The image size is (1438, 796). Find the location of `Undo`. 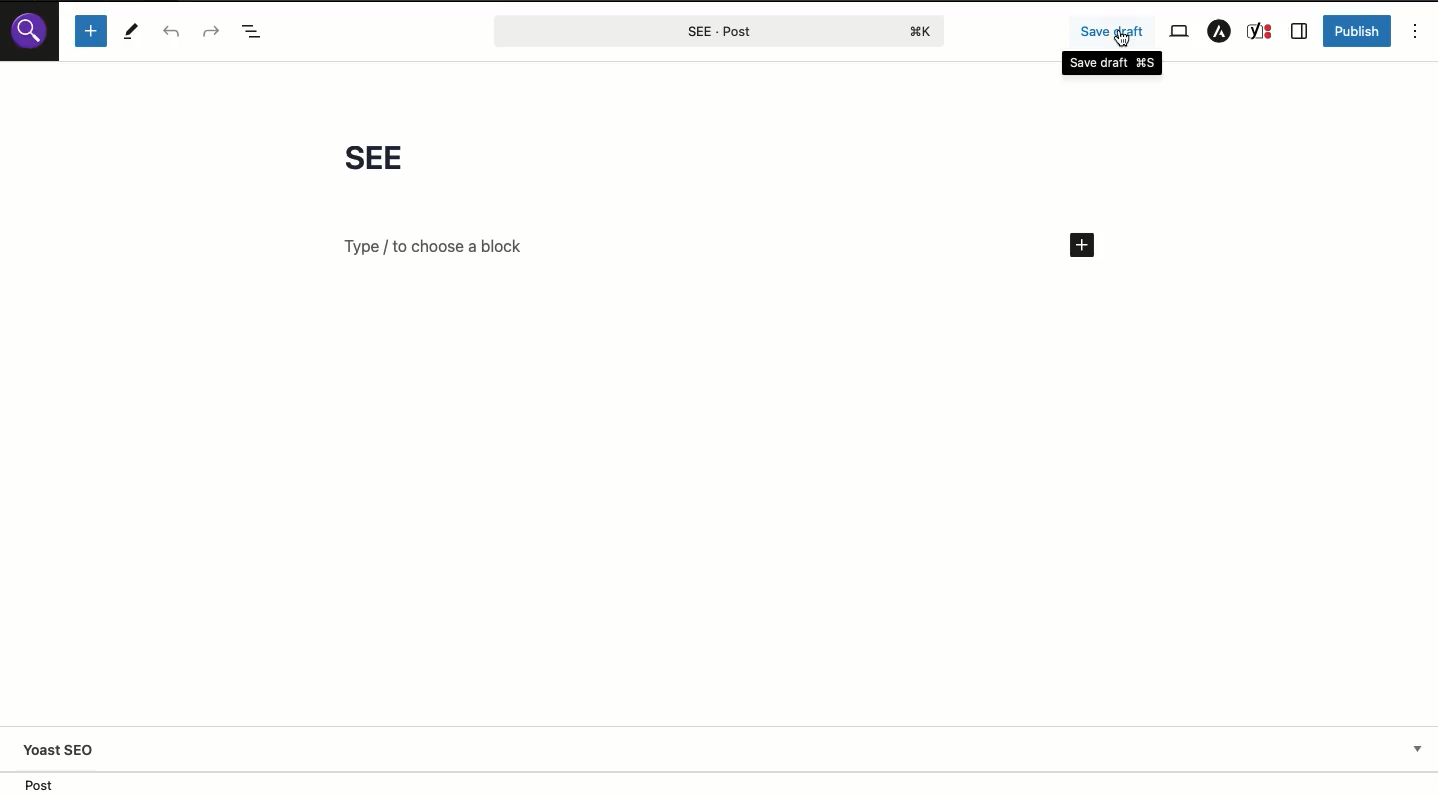

Undo is located at coordinates (172, 31).